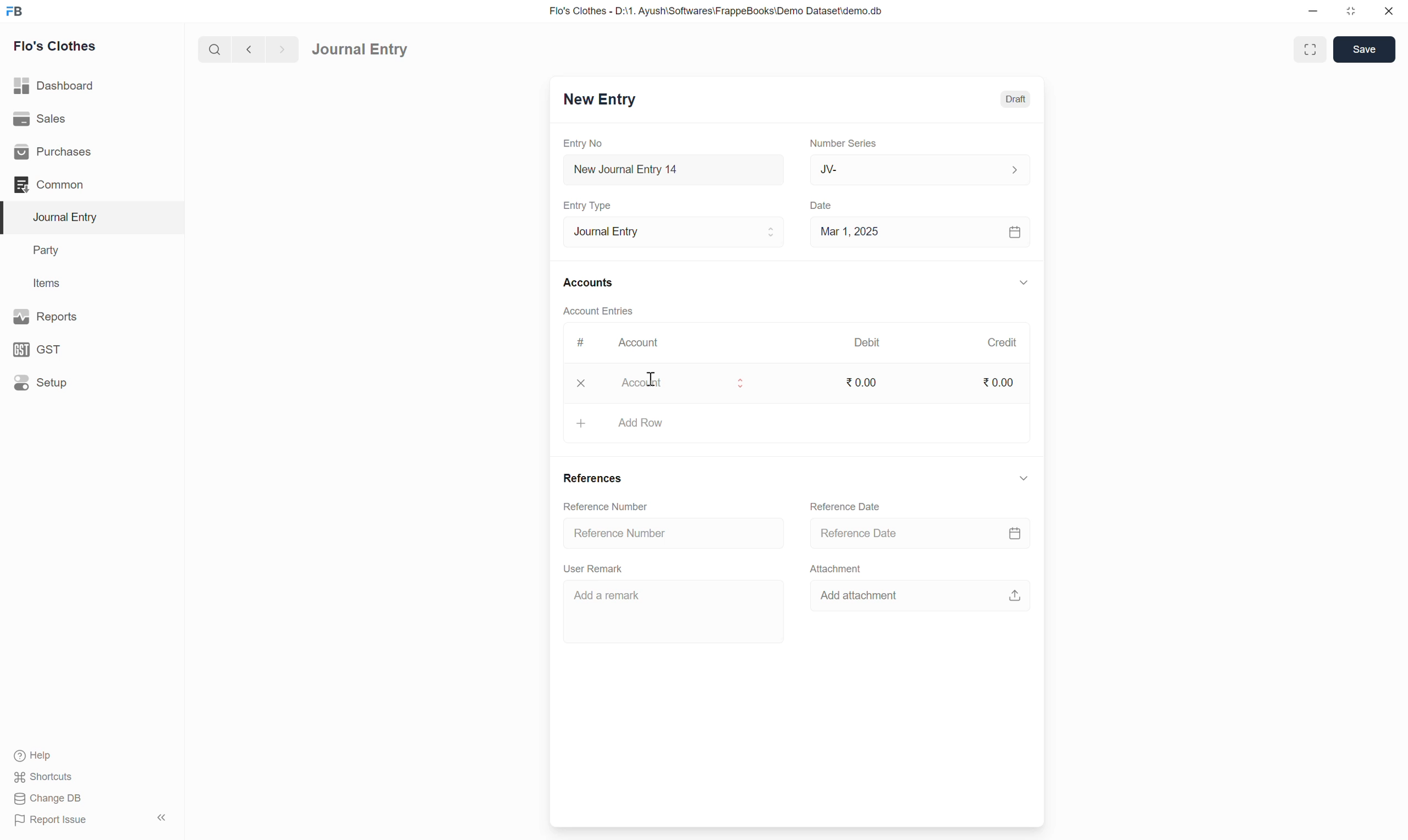 This screenshot has width=1408, height=840. Describe the element at coordinates (867, 341) in the screenshot. I see `Debit` at that location.